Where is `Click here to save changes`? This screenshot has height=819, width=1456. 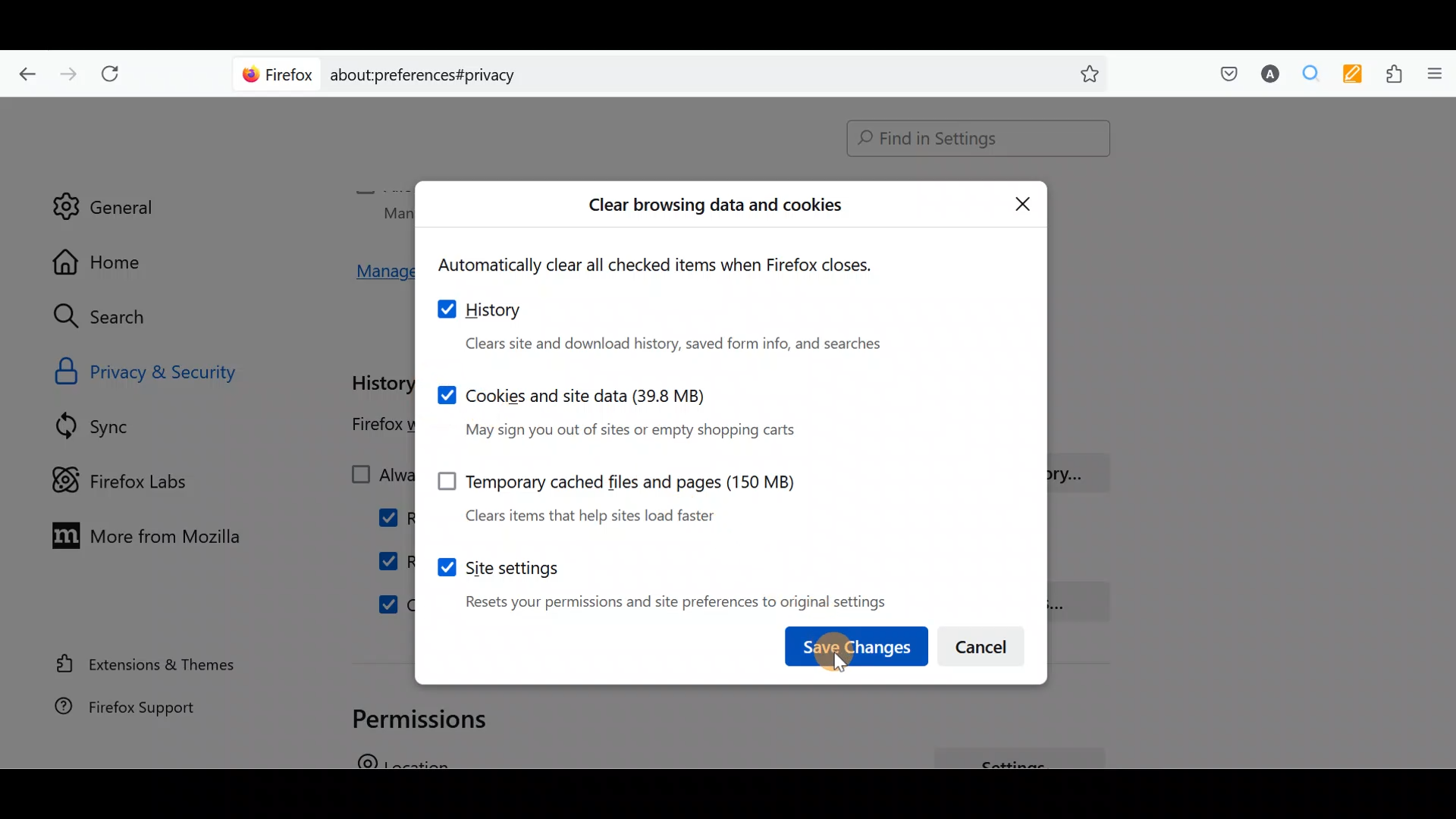
Click here to save changes is located at coordinates (838, 649).